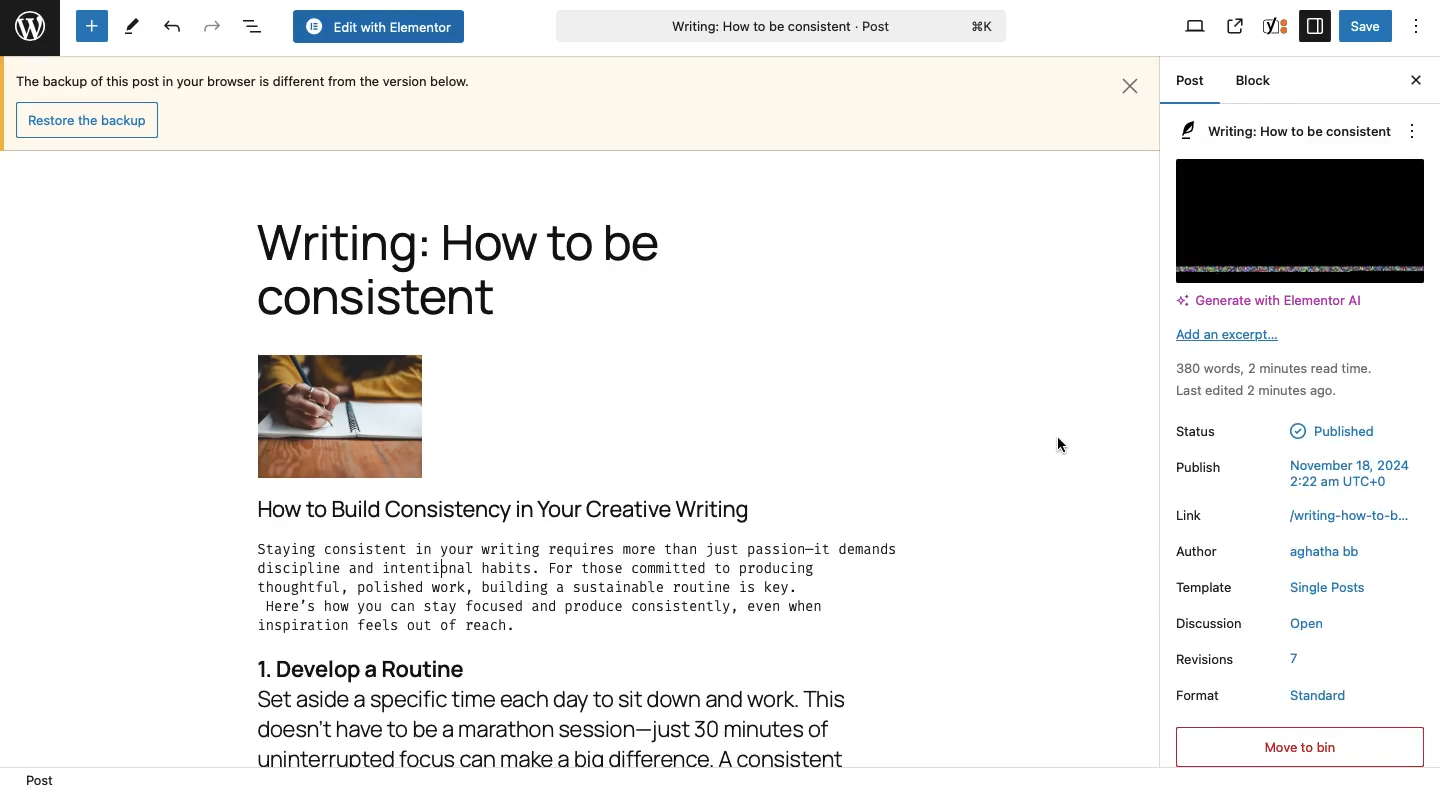 The height and width of the screenshot is (792, 1440). I want to click on Add an expert..., so click(1230, 337).